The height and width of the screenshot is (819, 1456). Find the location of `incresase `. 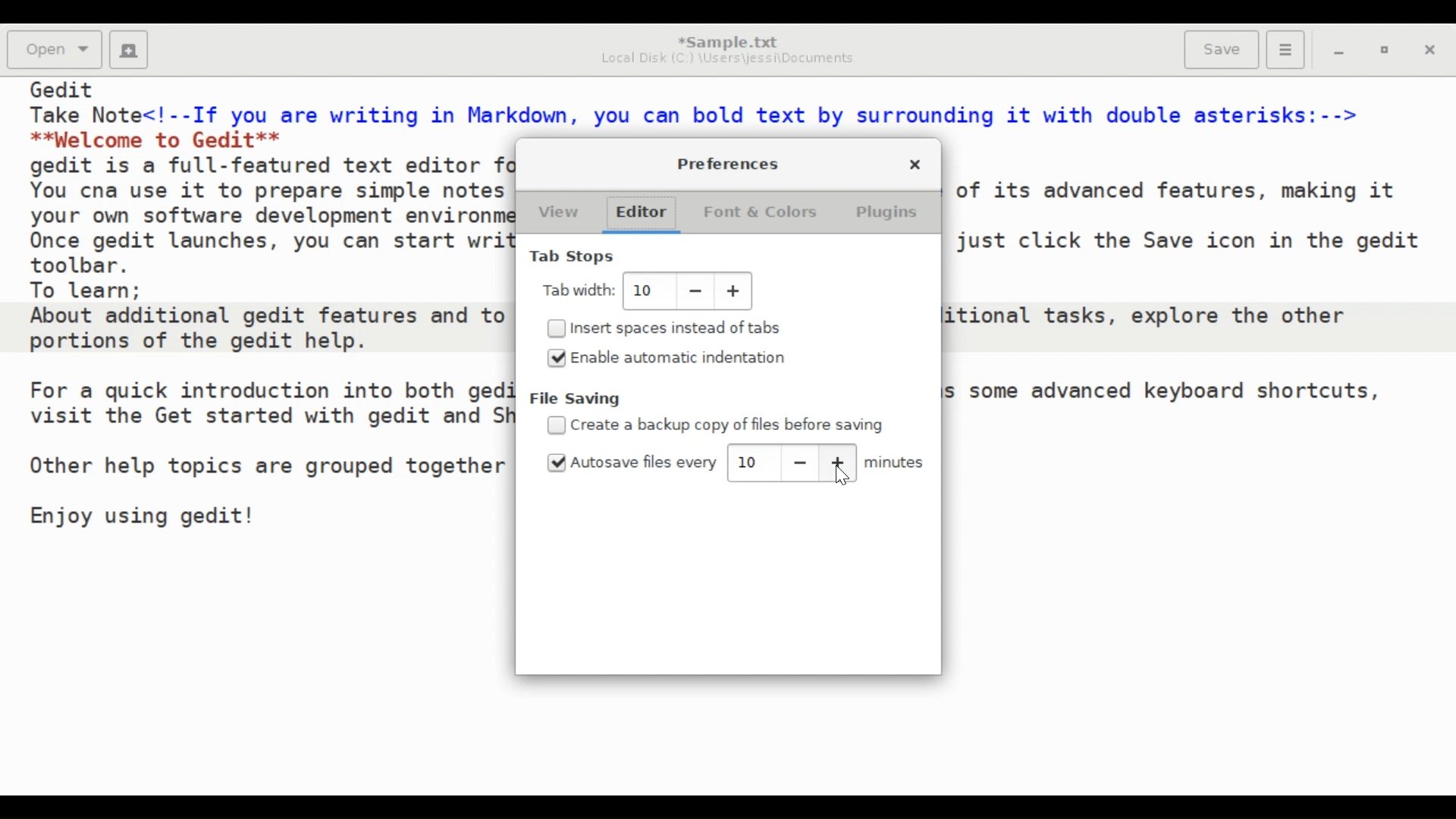

incresase  is located at coordinates (736, 292).